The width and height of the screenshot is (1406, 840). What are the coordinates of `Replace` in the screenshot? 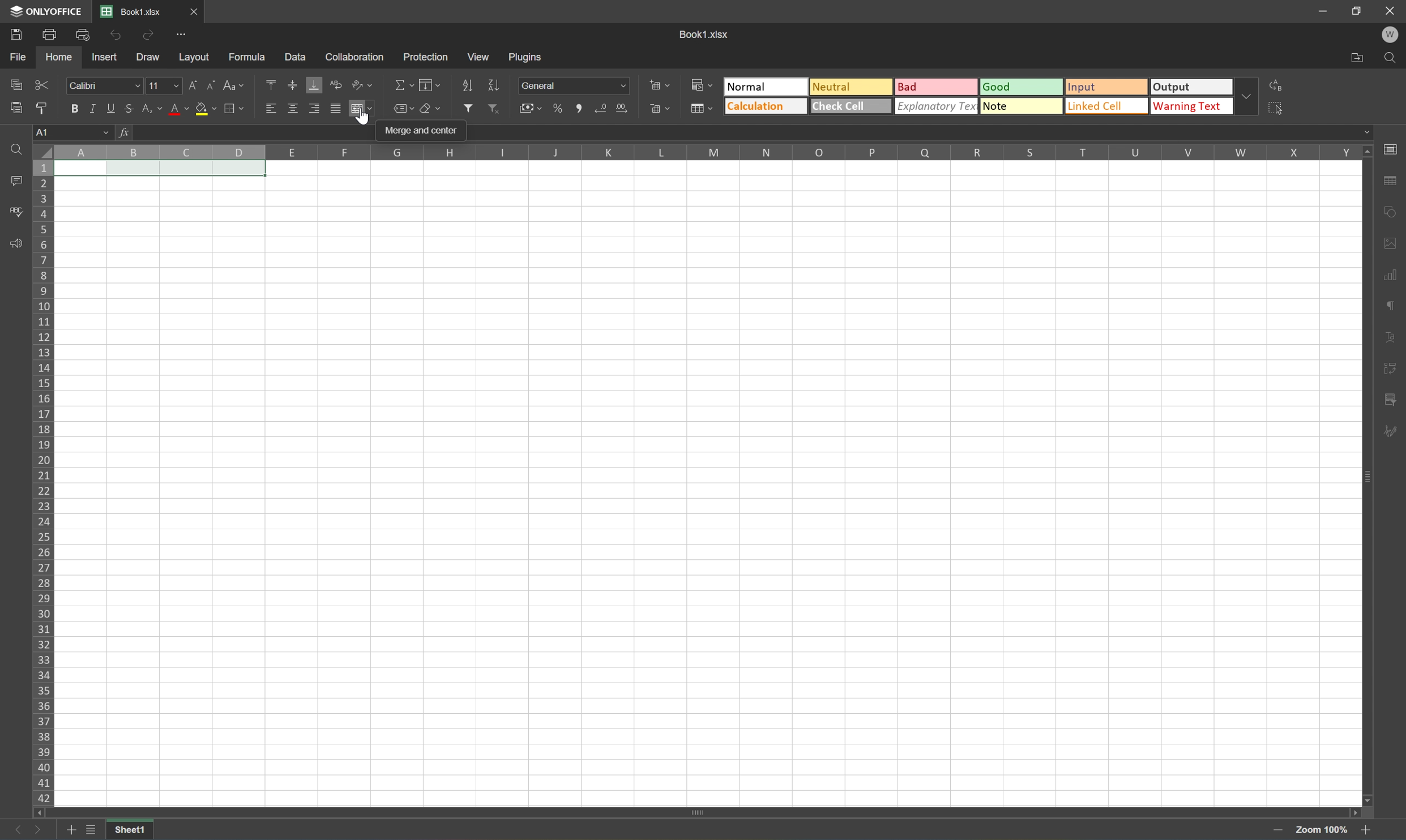 It's located at (1279, 86).